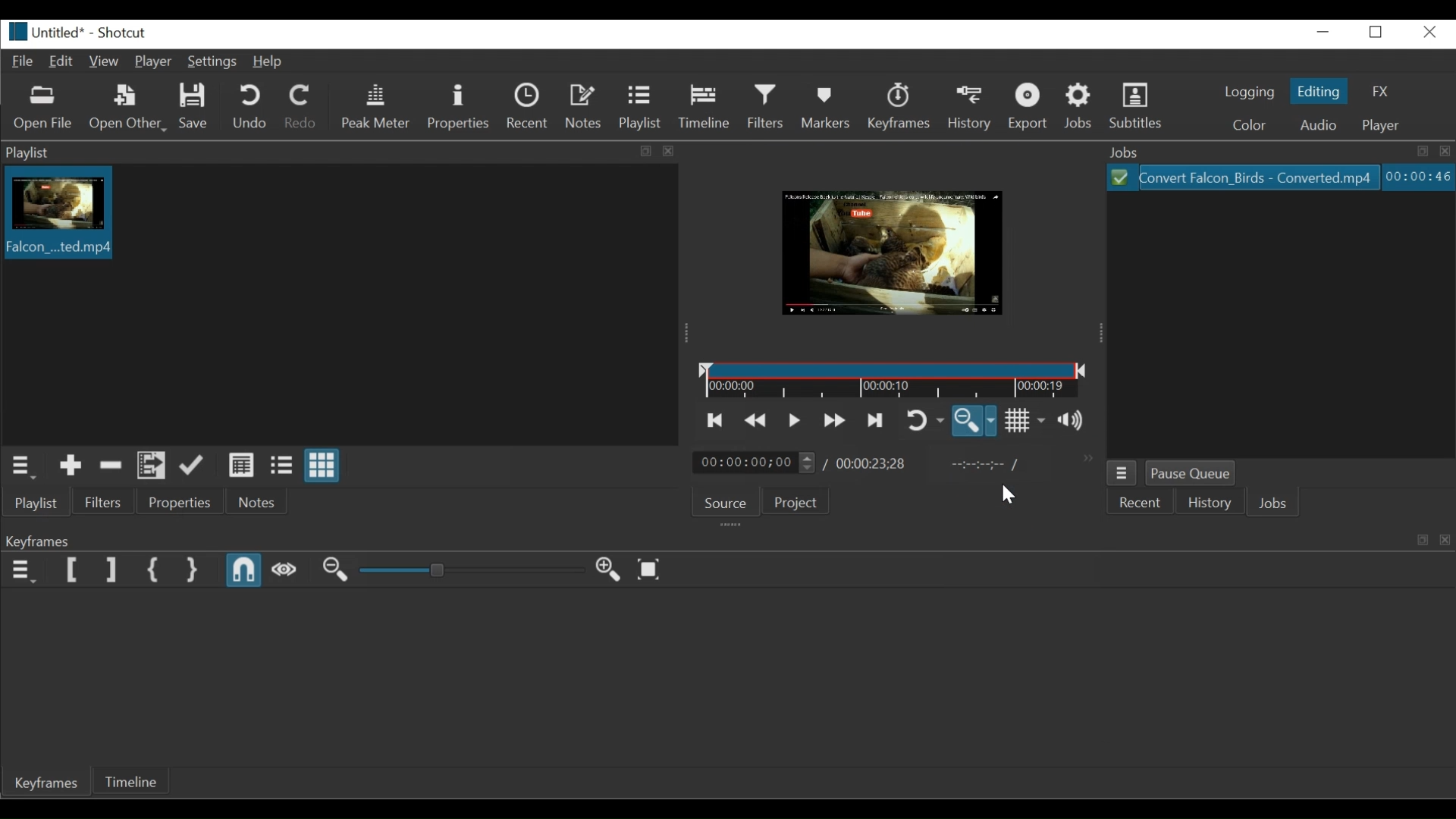  I want to click on View, so click(105, 62).